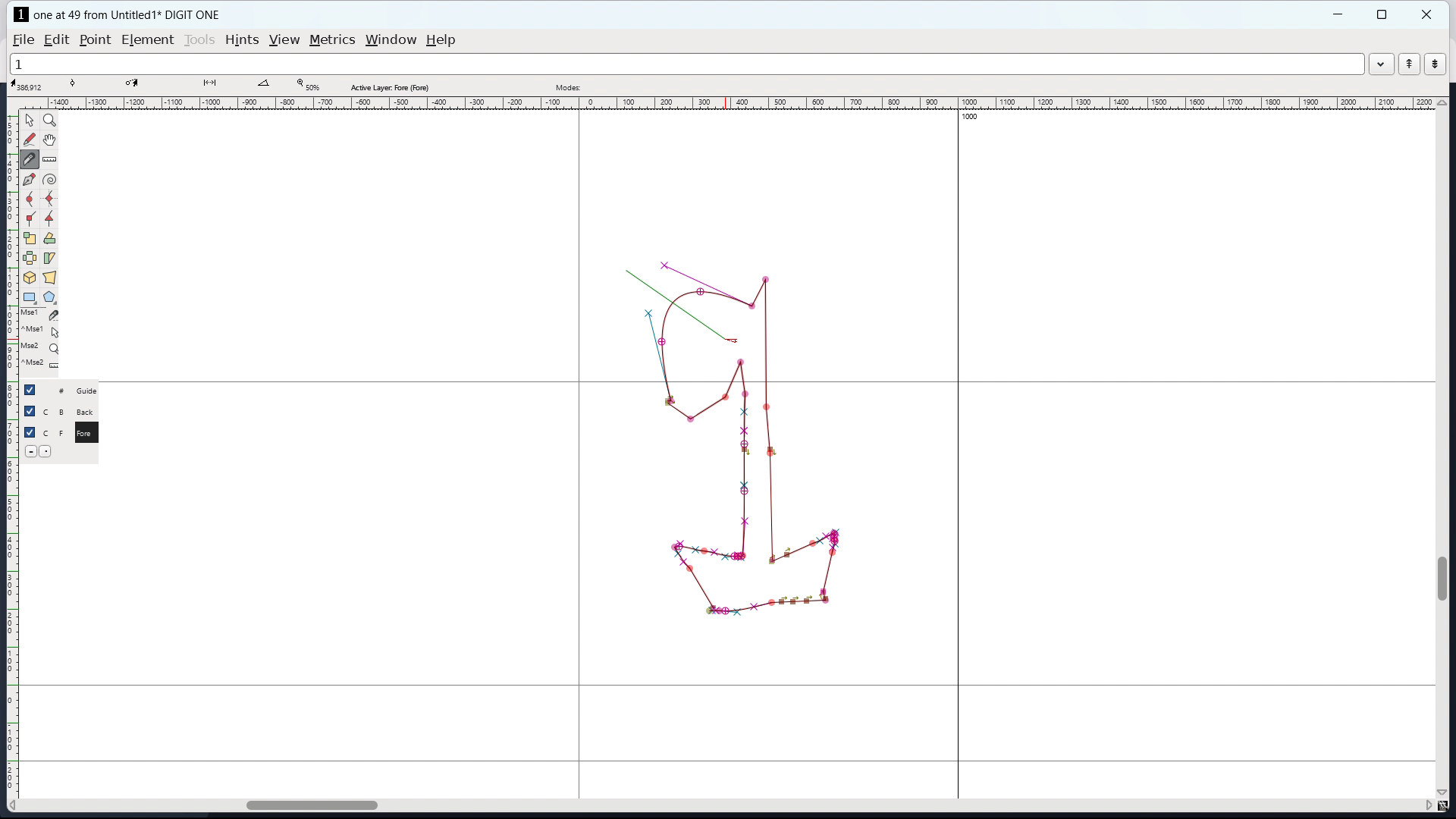 The image size is (1456, 819). Describe the element at coordinates (30, 278) in the screenshot. I see `rotate selection in 3D and project back to plane` at that location.